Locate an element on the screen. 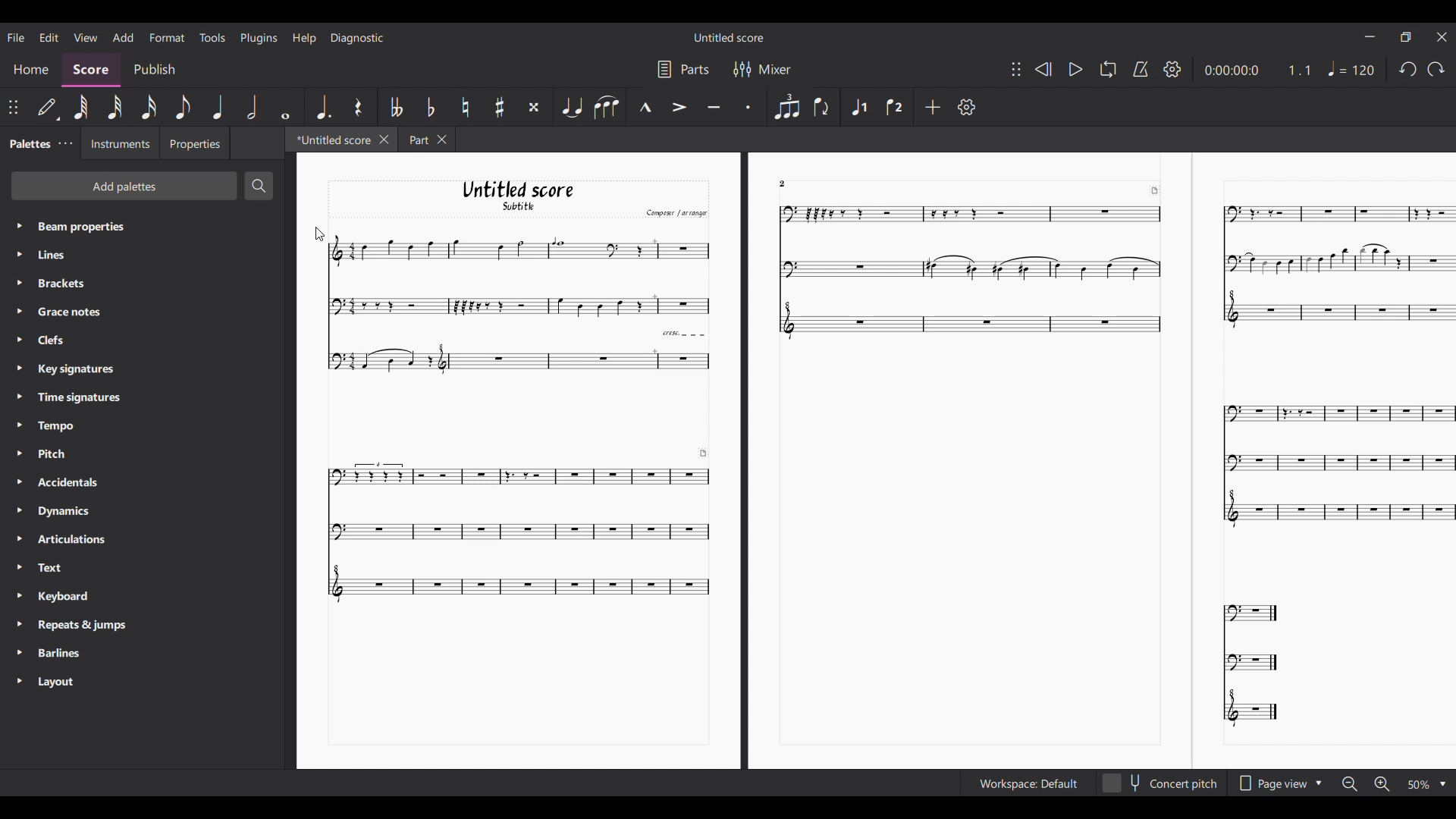 This screenshot has height=819, width=1456. Brackets is located at coordinates (71, 284).